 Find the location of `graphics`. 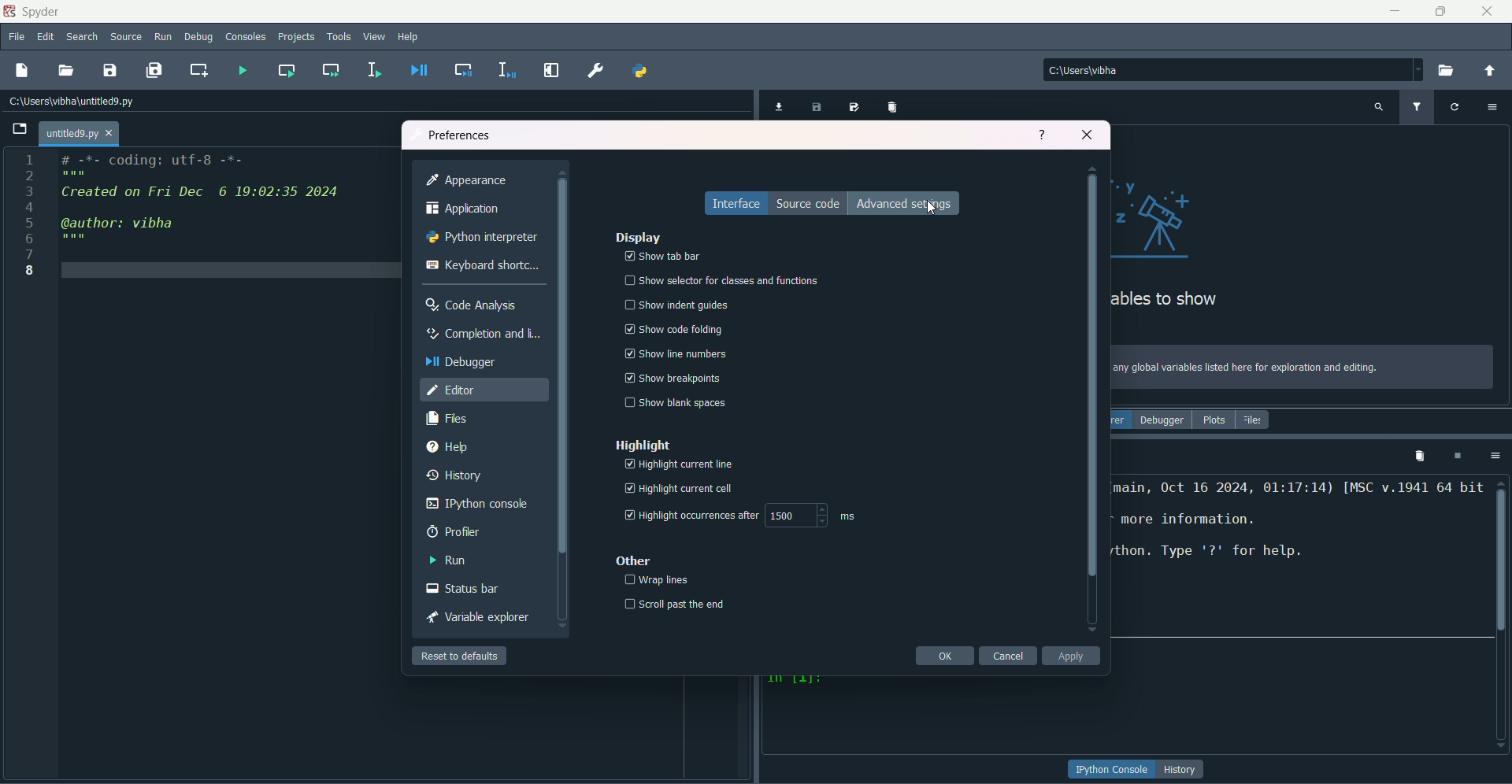

graphics is located at coordinates (1166, 216).